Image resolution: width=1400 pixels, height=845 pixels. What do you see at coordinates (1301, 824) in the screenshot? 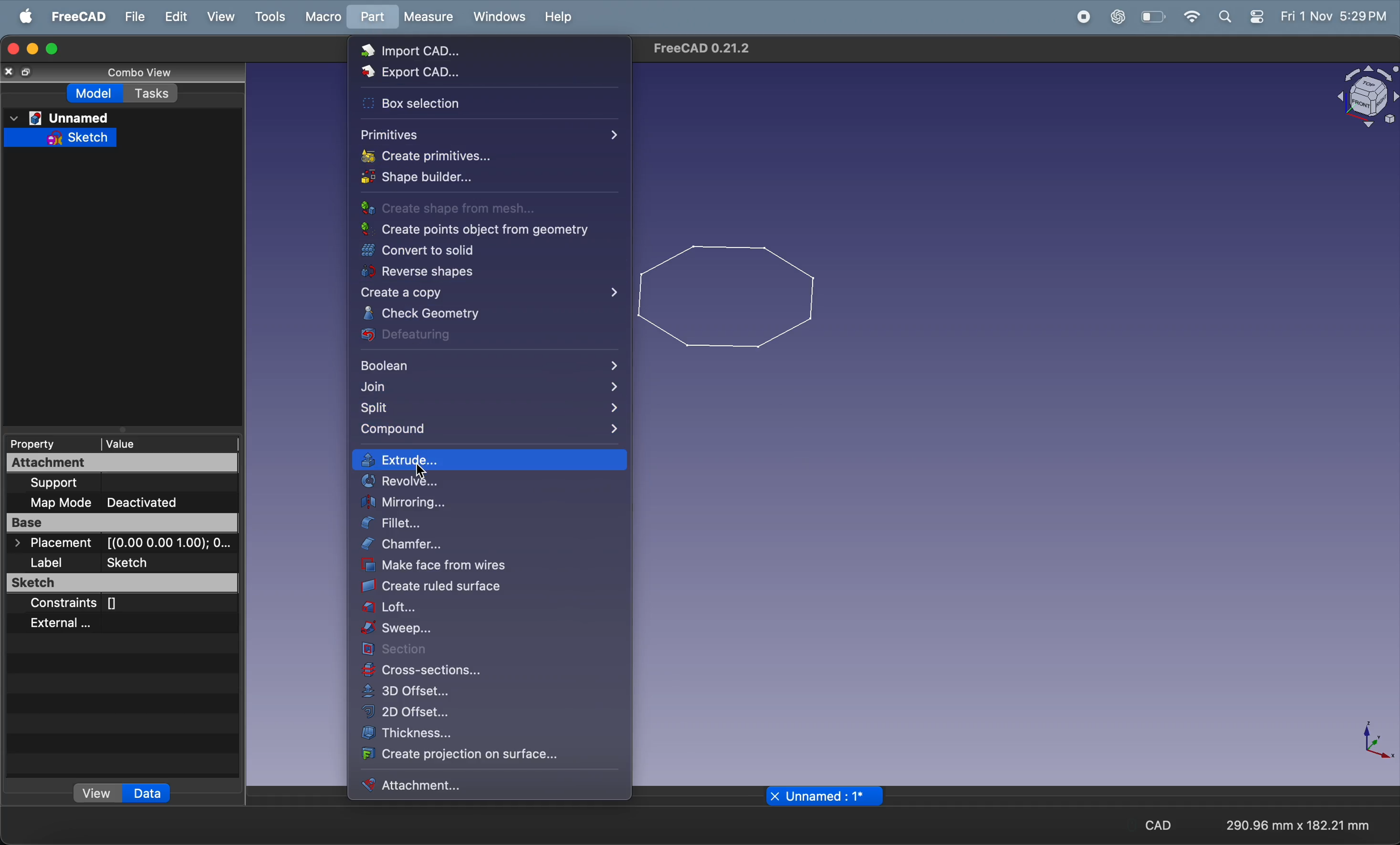
I see `aspect ratio` at bounding box center [1301, 824].